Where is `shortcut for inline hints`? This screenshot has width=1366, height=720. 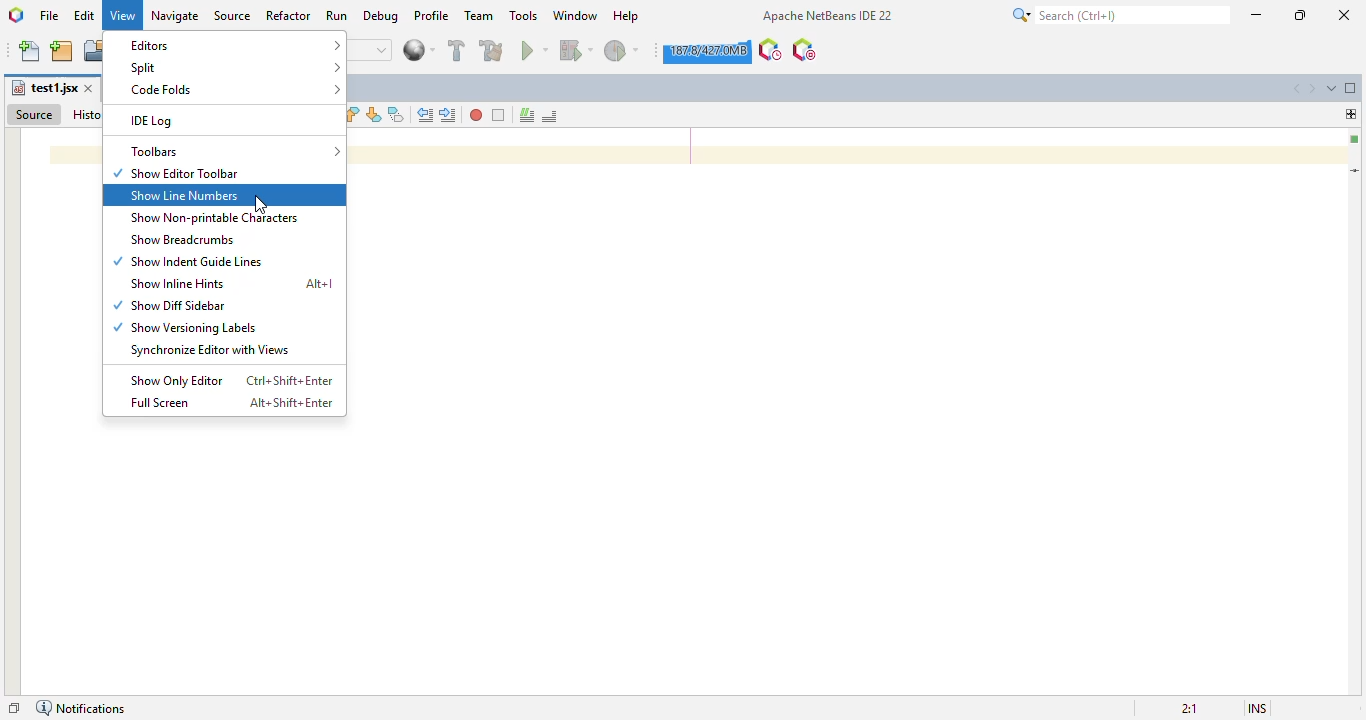
shortcut for inline hints is located at coordinates (319, 284).